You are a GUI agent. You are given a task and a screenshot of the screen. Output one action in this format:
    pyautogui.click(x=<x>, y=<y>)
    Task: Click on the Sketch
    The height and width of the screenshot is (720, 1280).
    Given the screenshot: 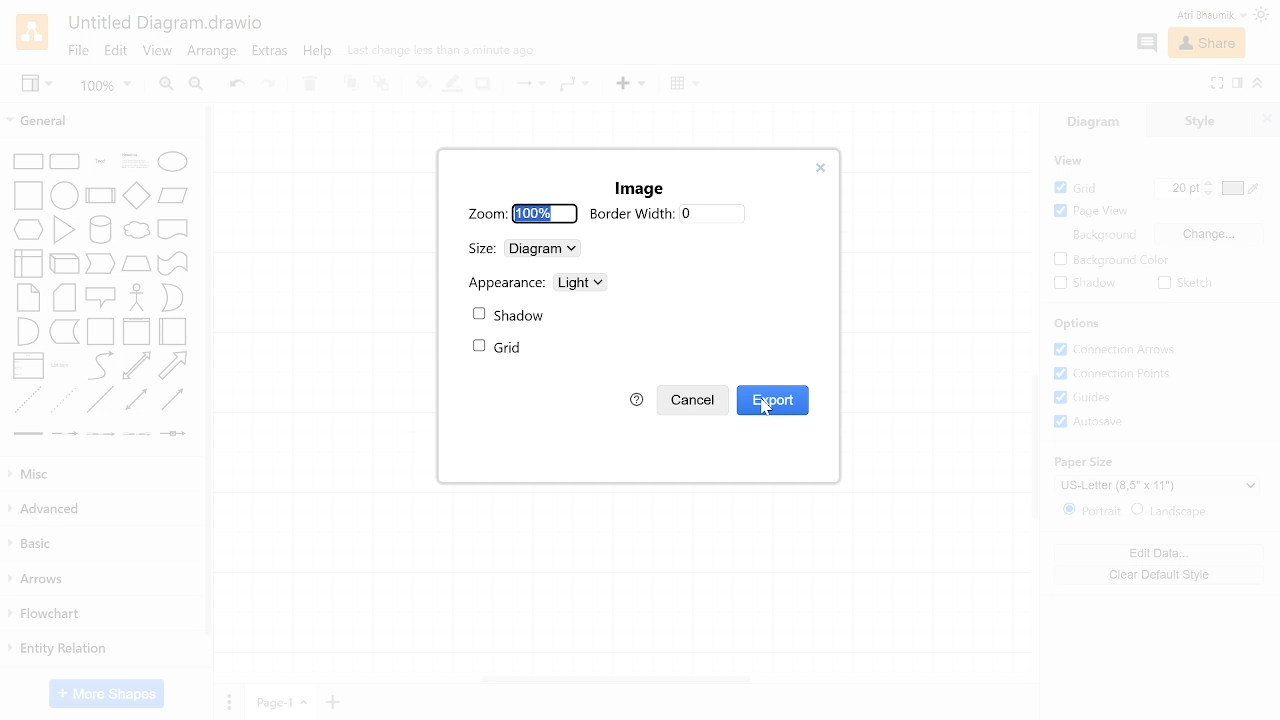 What is the action you would take?
    pyautogui.click(x=1188, y=283)
    